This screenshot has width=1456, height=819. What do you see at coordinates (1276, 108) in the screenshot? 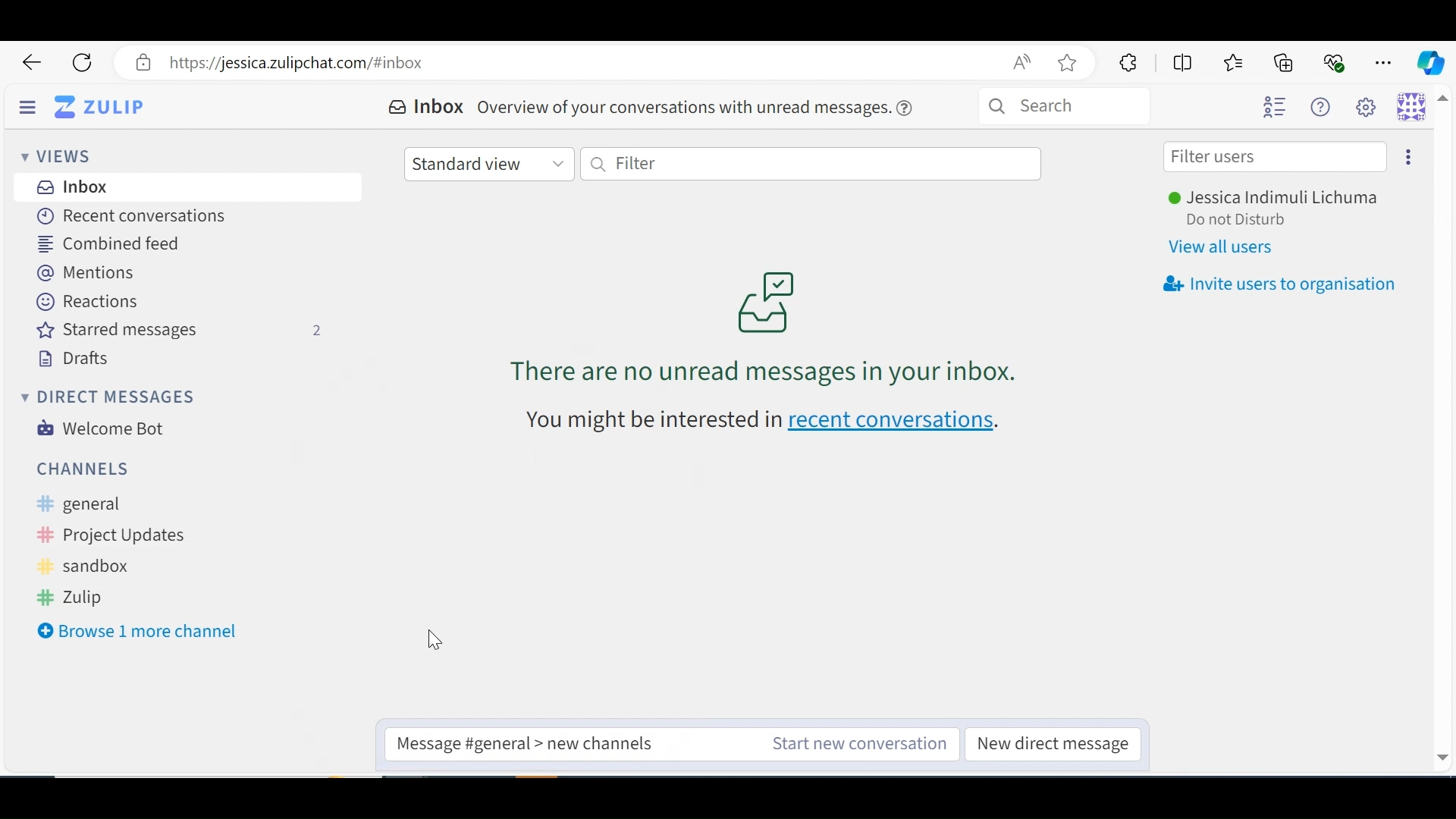
I see `Hide user list` at bounding box center [1276, 108].